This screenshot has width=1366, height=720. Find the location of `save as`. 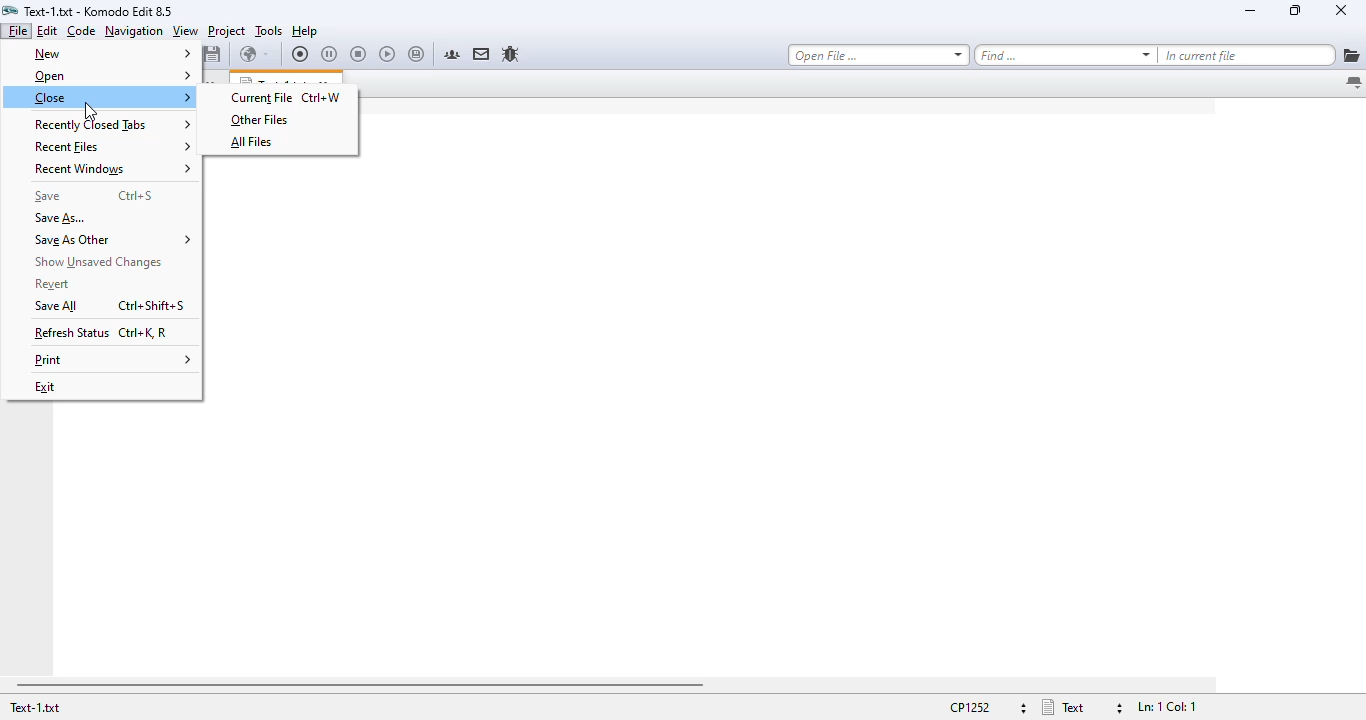

save as is located at coordinates (61, 218).